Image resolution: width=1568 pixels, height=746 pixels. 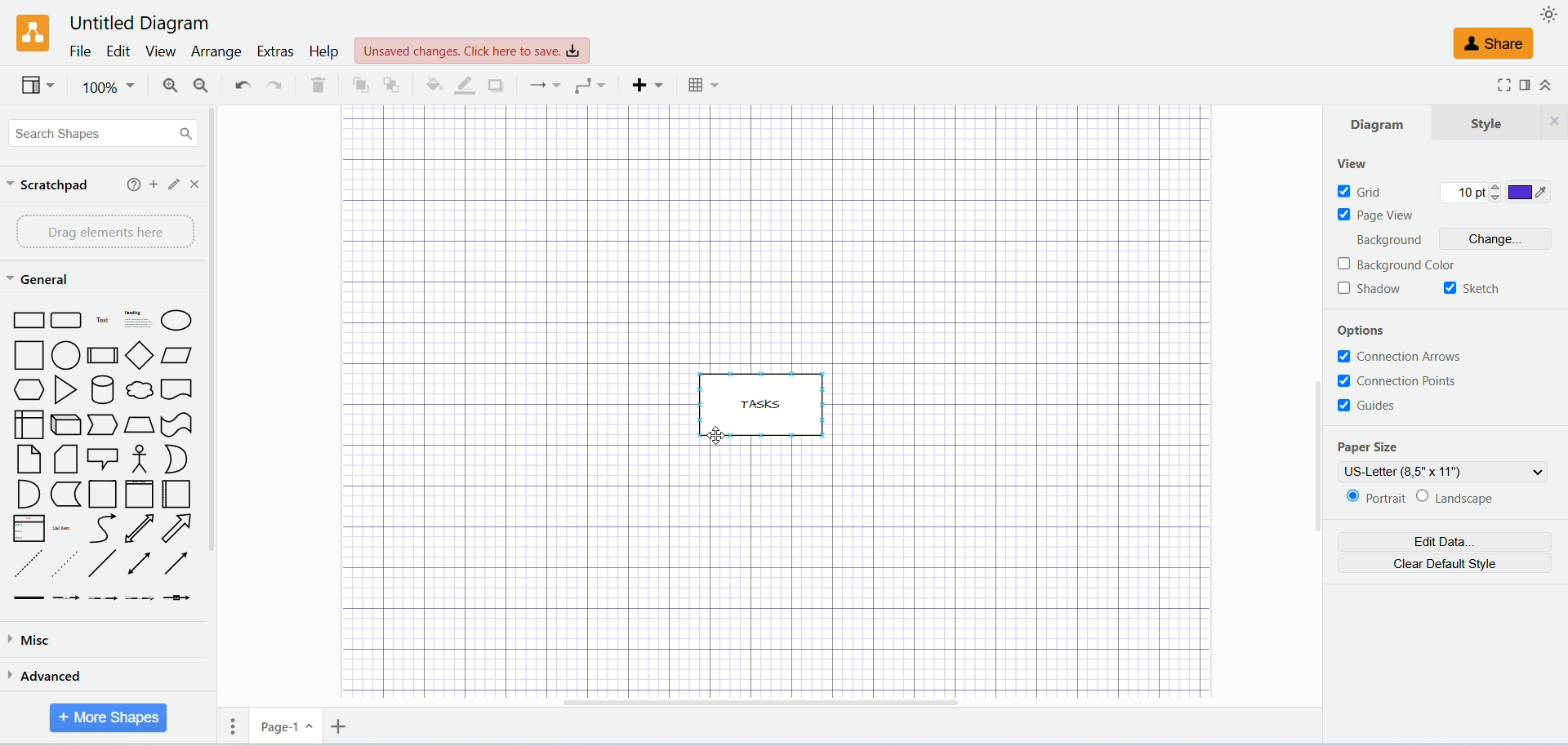 I want to click on Untitled Diagram, so click(x=134, y=24).